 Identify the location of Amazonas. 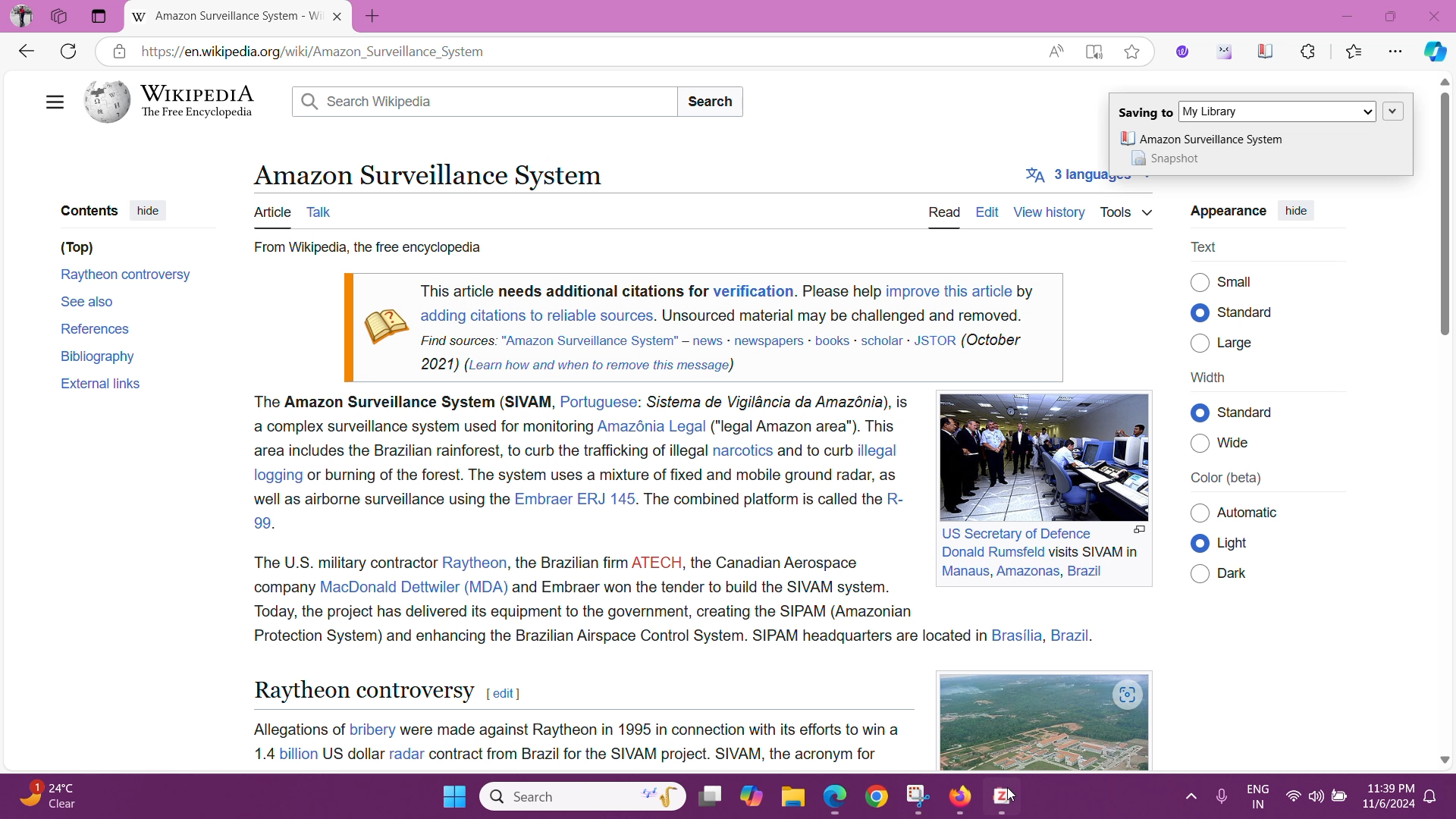
(1027, 571).